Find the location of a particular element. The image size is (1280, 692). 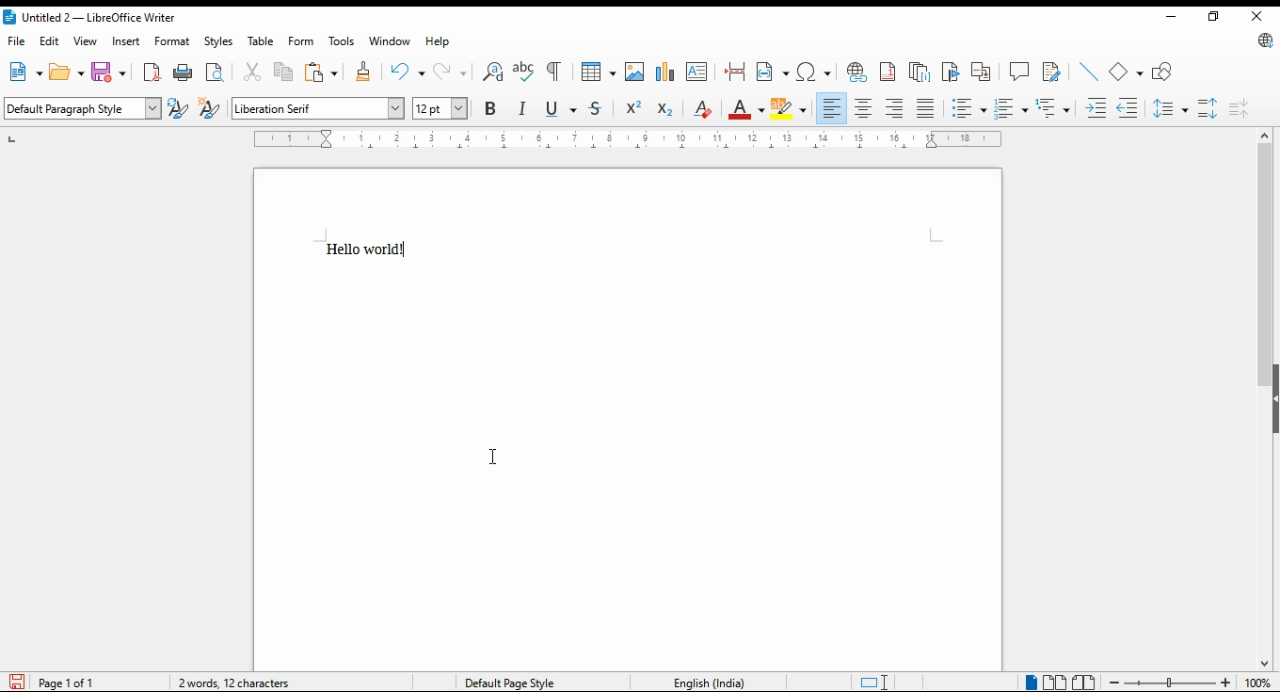

cut is located at coordinates (253, 71).